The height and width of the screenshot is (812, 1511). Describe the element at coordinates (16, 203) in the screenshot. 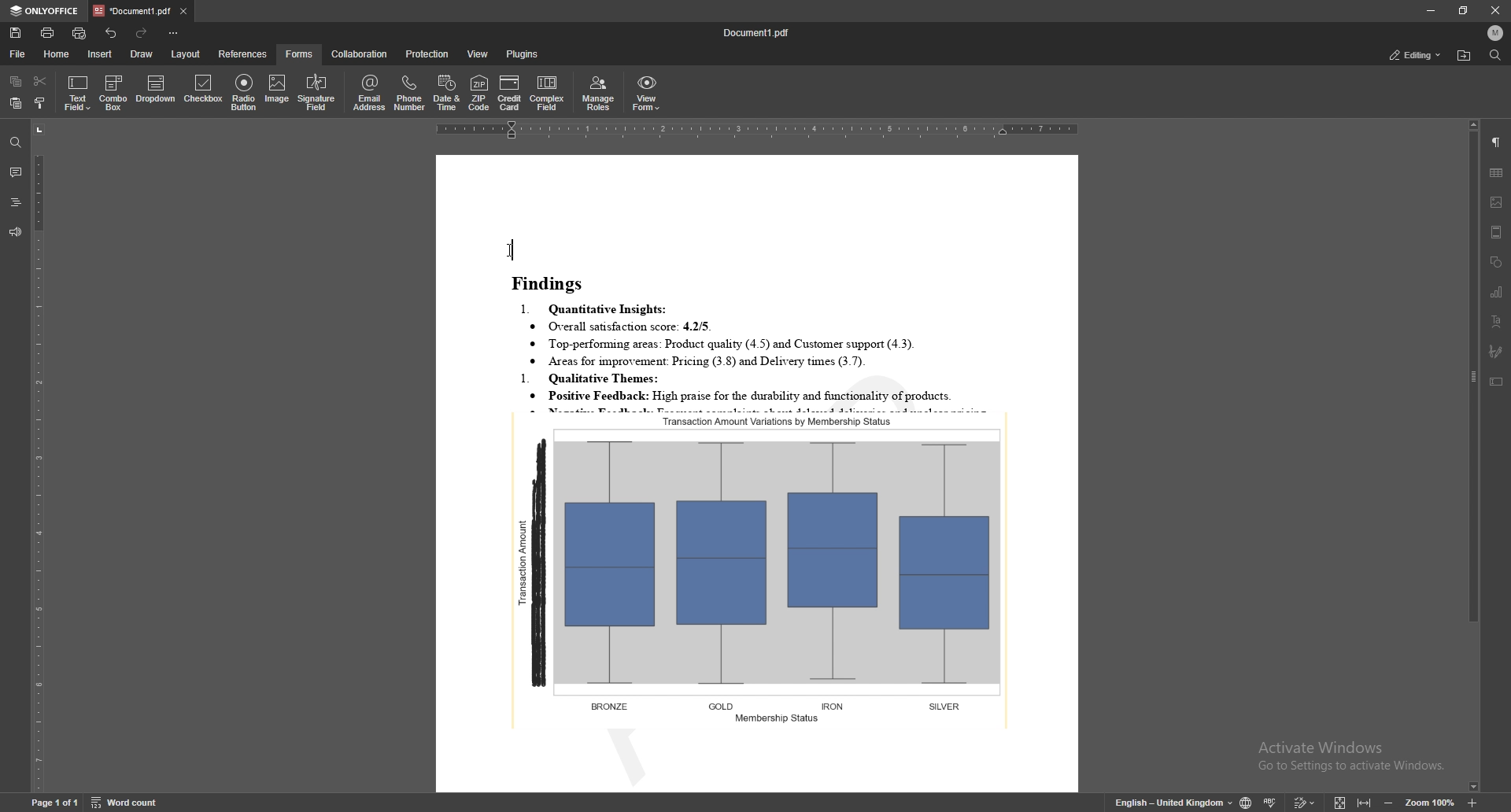

I see `heading` at that location.